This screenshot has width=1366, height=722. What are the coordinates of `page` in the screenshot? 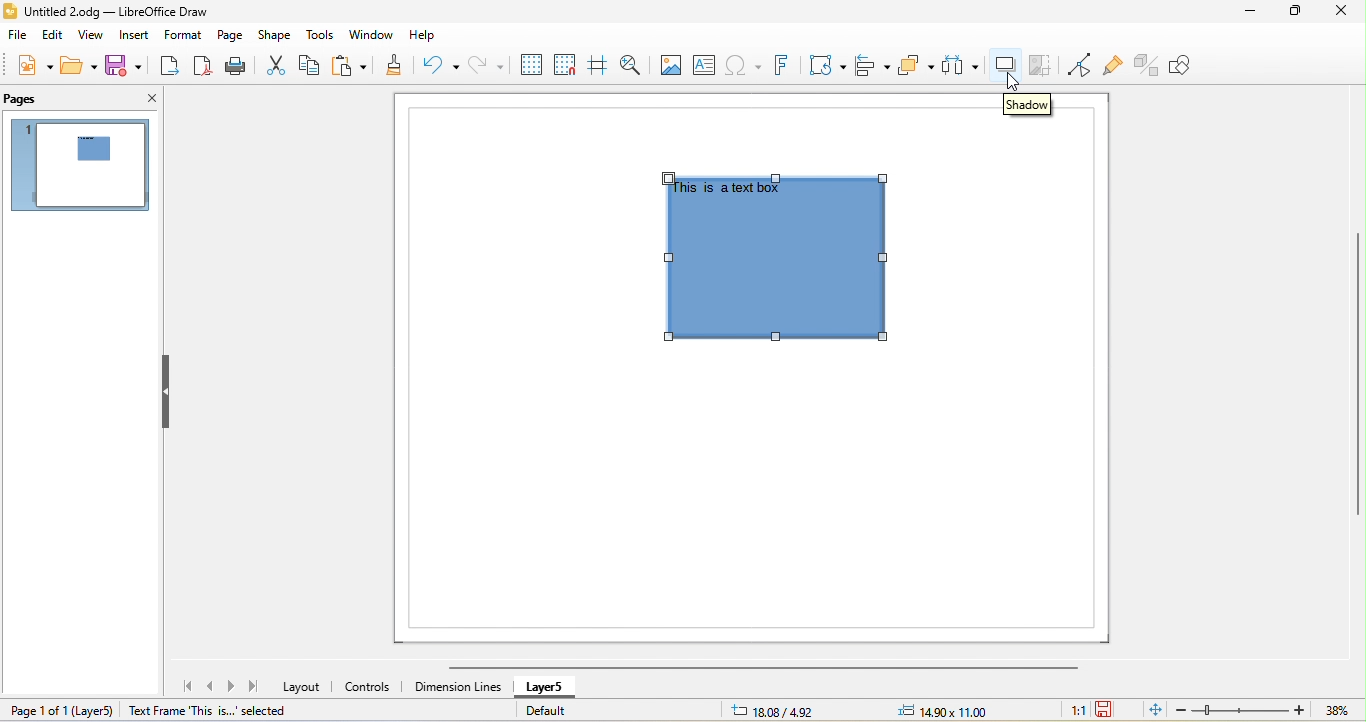 It's located at (230, 35).